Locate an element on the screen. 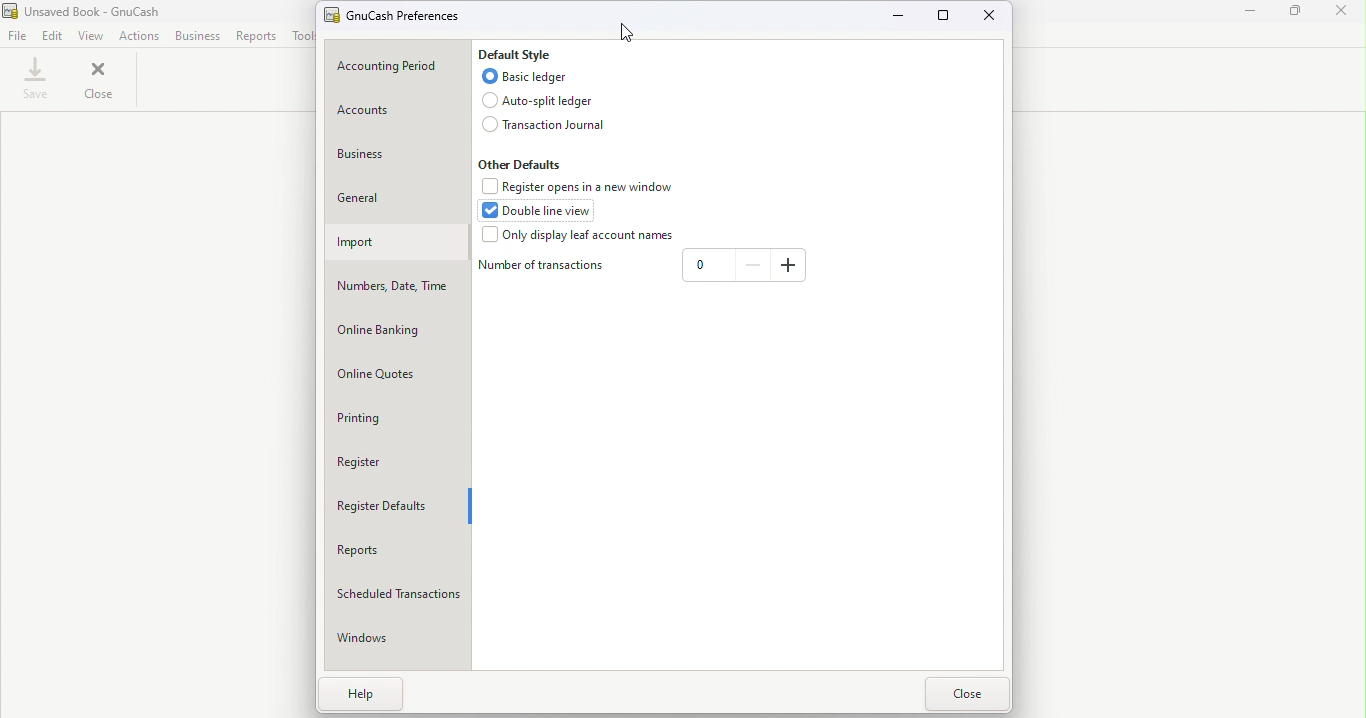 The height and width of the screenshot is (718, 1366). Windows is located at coordinates (390, 638).